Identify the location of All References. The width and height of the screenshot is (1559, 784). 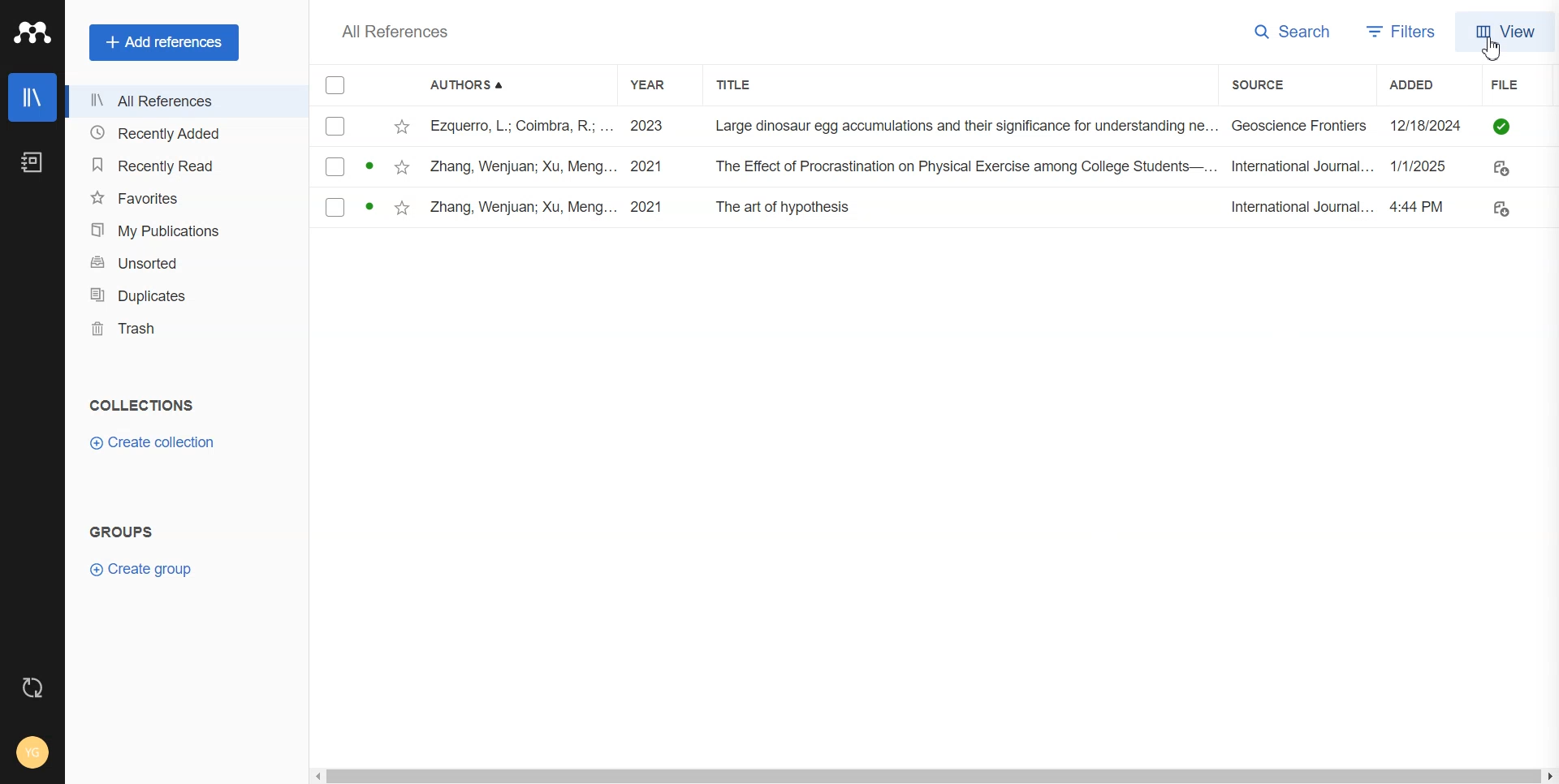
(395, 32).